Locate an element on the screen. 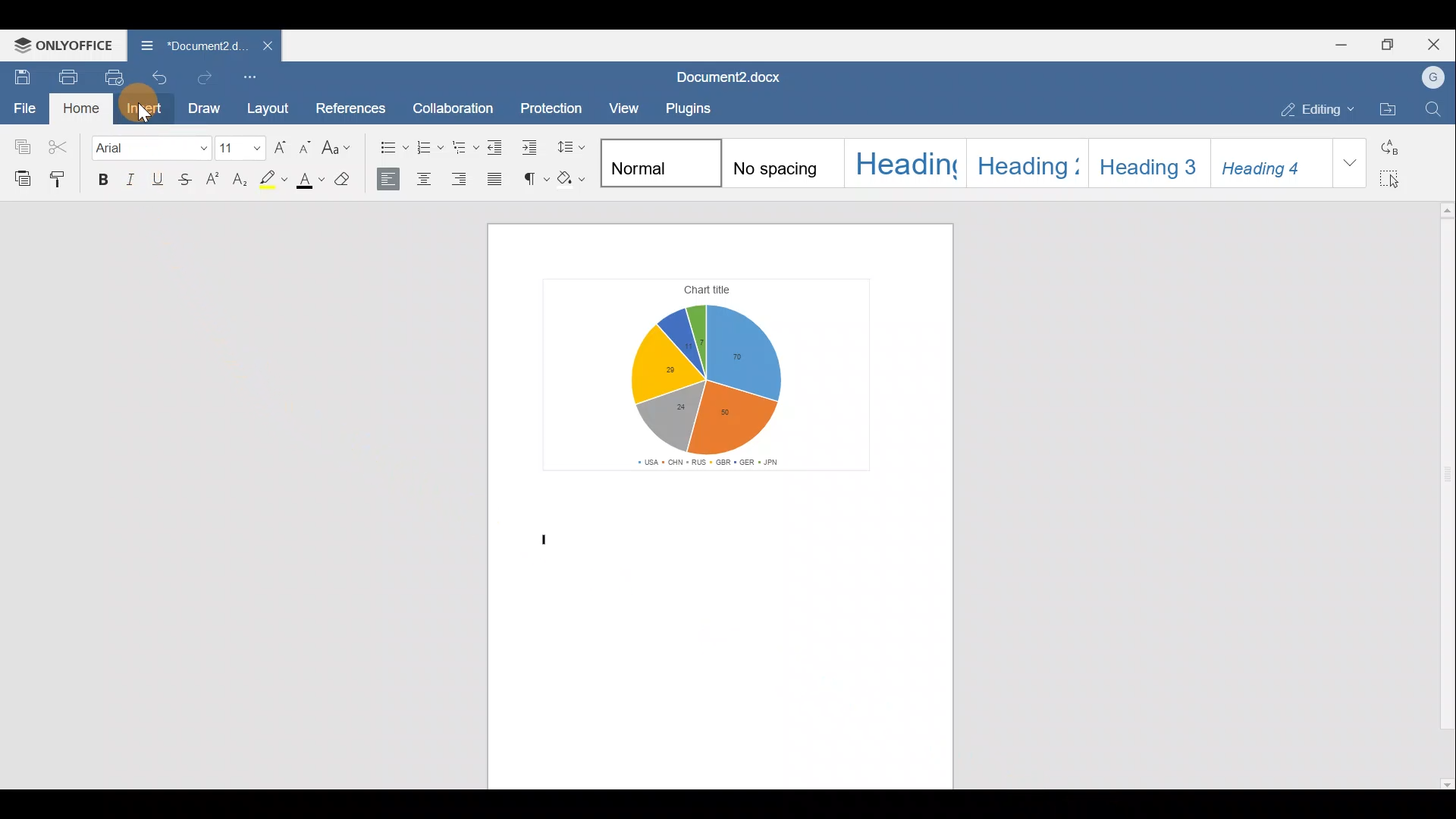 This screenshot has height=819, width=1456. Style 1 is located at coordinates (660, 162).